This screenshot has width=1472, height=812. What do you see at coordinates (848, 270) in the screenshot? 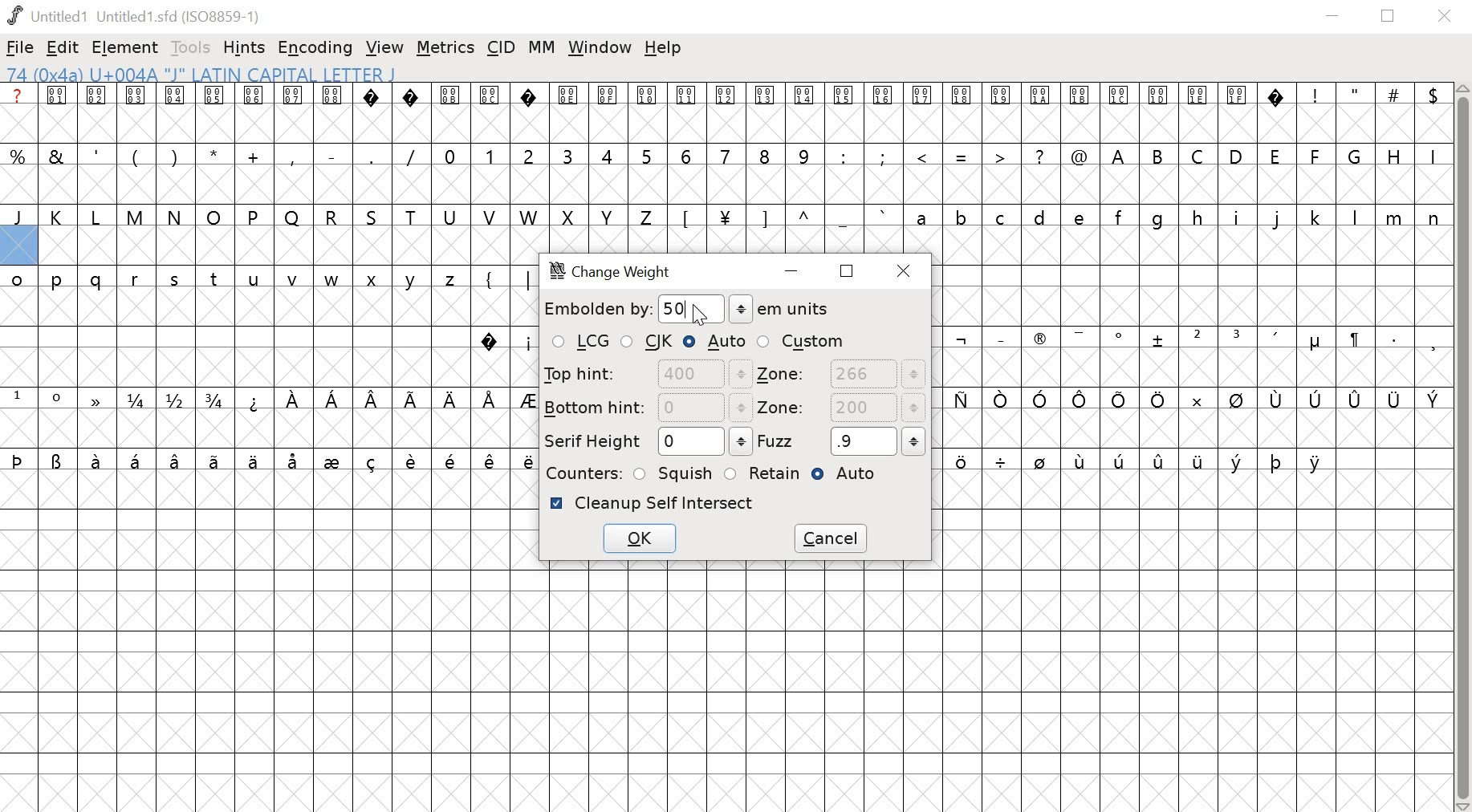
I see `restore down` at bounding box center [848, 270].